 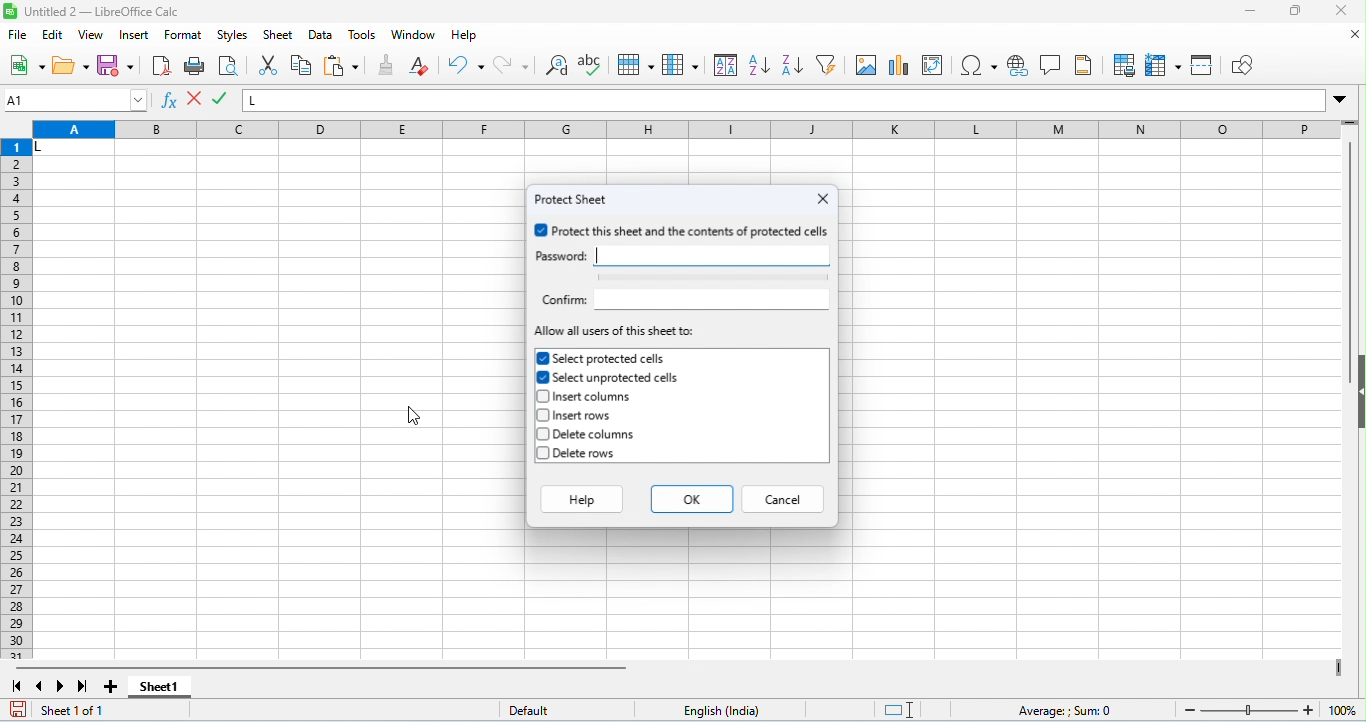 What do you see at coordinates (18, 400) in the screenshot?
I see `row numbers` at bounding box center [18, 400].